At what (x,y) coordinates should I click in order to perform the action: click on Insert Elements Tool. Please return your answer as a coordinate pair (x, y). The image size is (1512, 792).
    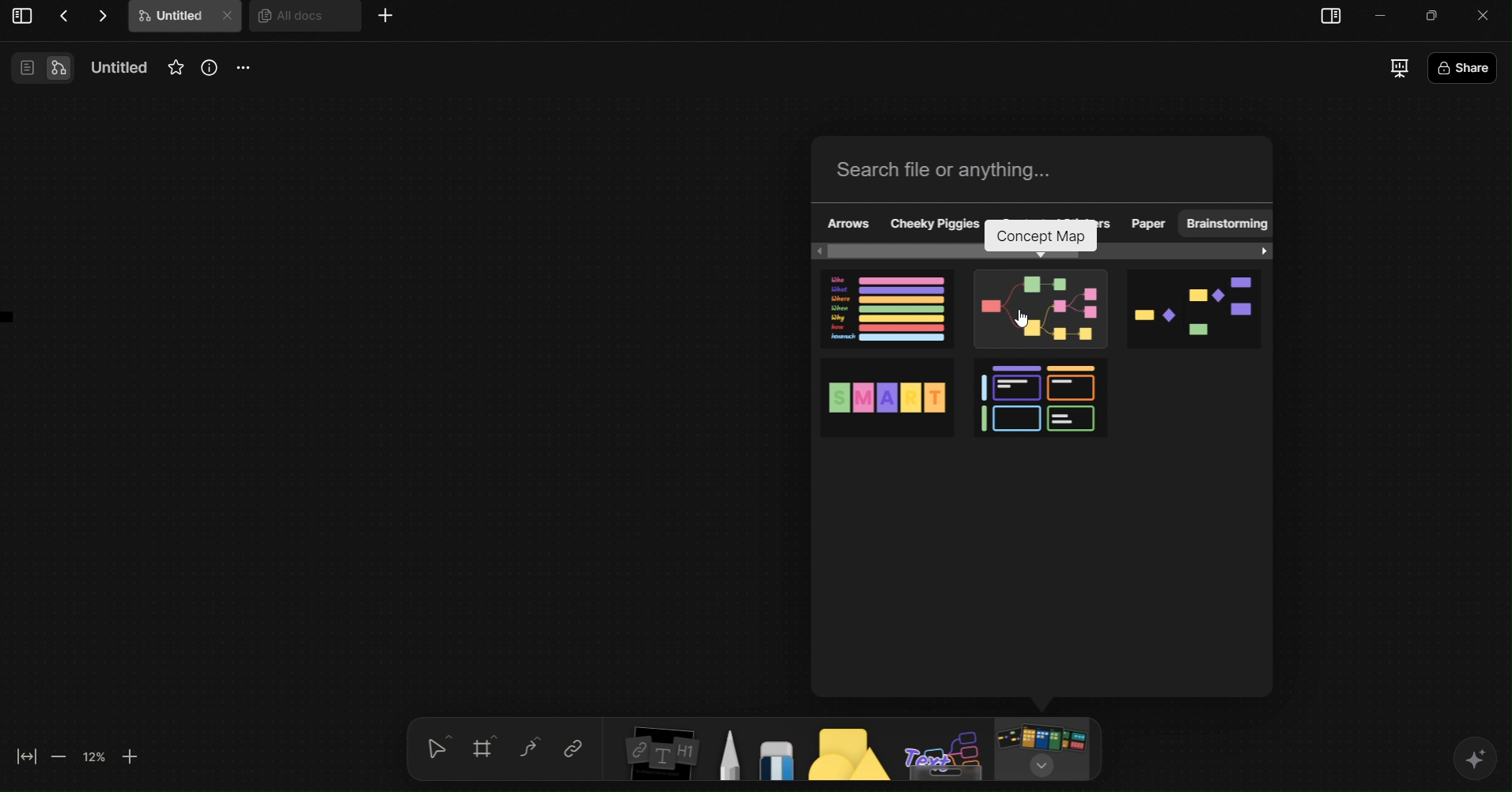
    Looking at the image, I should click on (659, 756).